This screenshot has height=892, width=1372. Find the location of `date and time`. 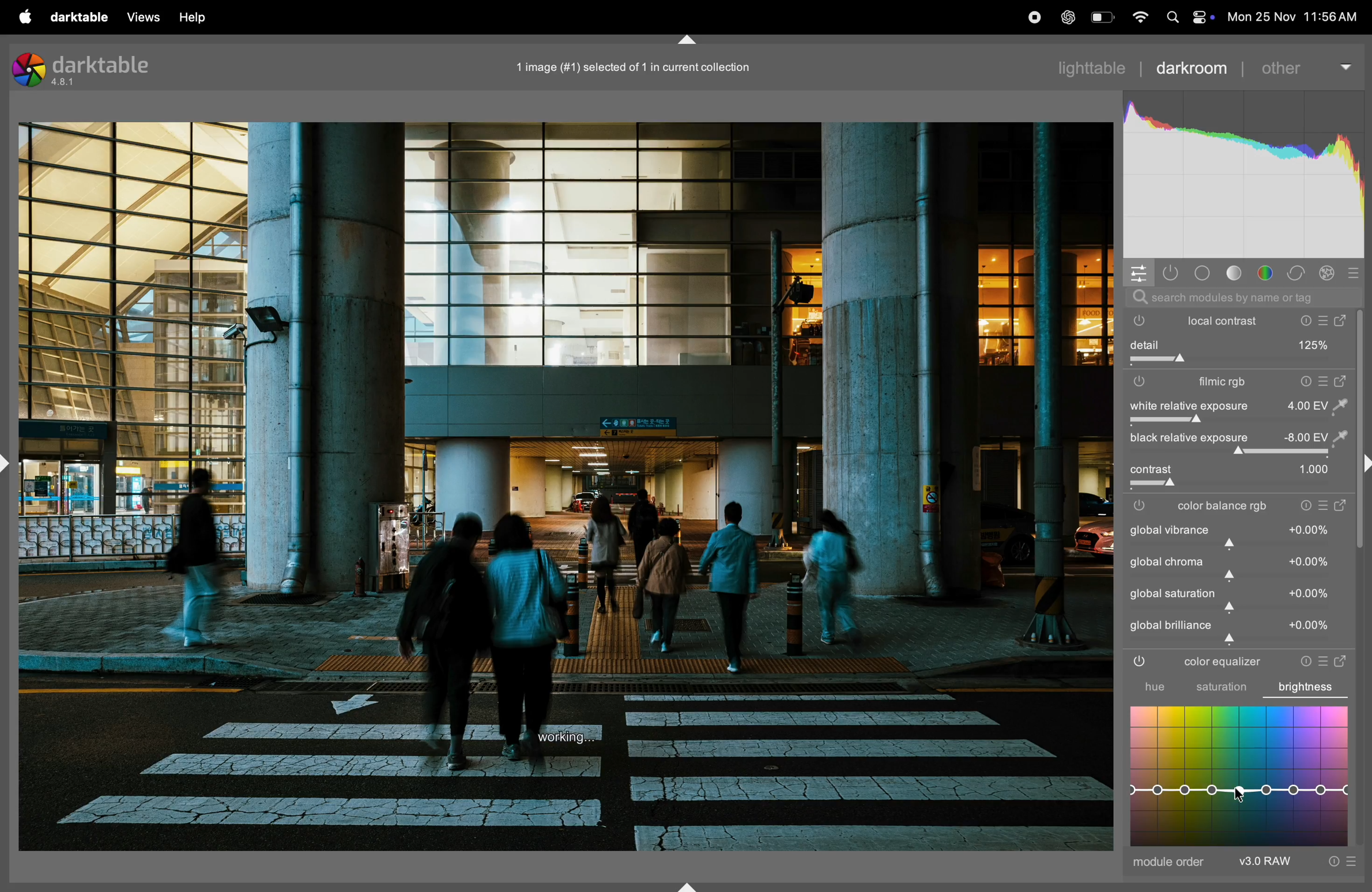

date and time is located at coordinates (1292, 17).